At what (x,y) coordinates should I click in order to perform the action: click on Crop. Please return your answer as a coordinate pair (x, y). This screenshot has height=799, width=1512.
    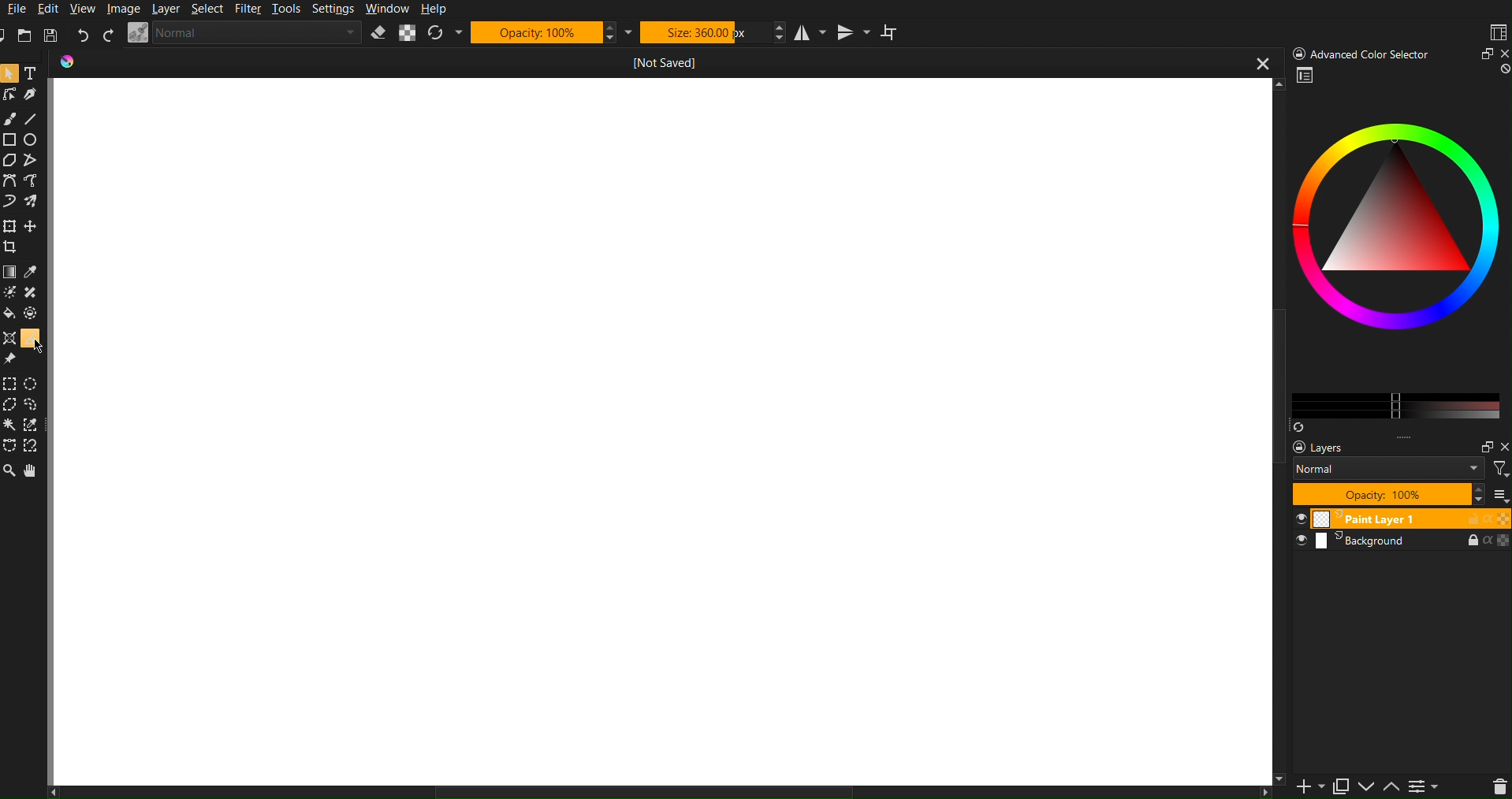
    Looking at the image, I should click on (13, 247).